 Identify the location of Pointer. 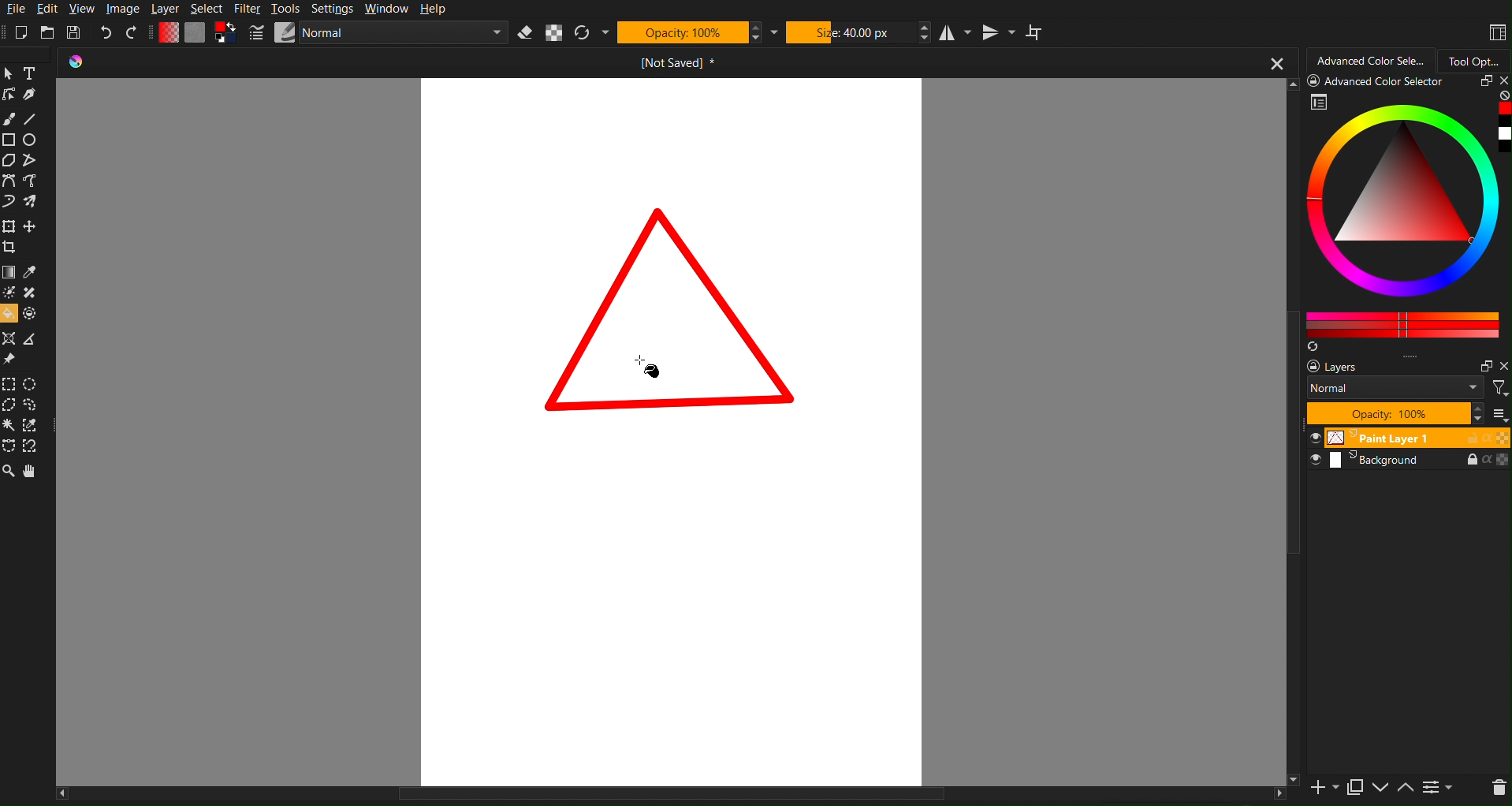
(9, 73).